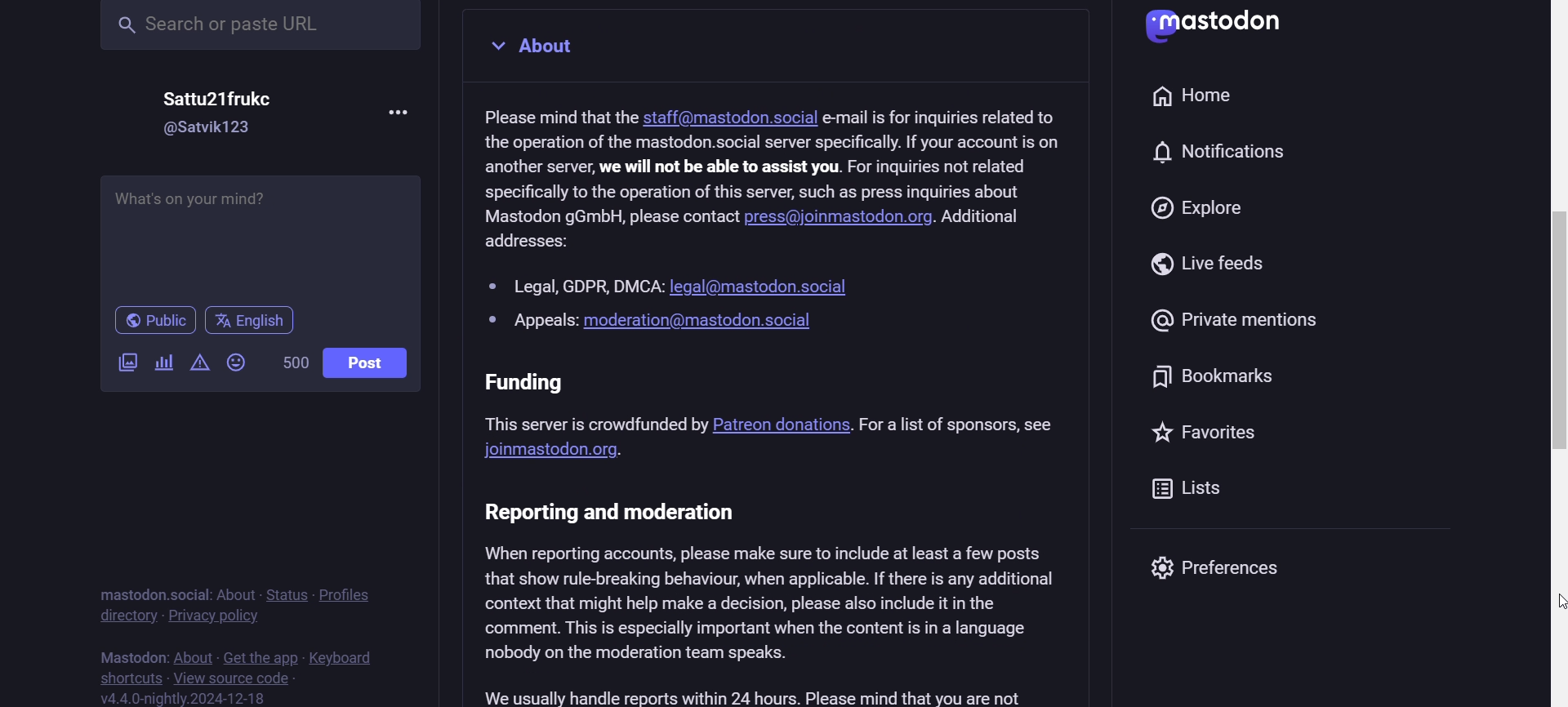 The height and width of the screenshot is (707, 1568). What do you see at coordinates (944, 117) in the screenshot?
I see `email is for inquires related to` at bounding box center [944, 117].